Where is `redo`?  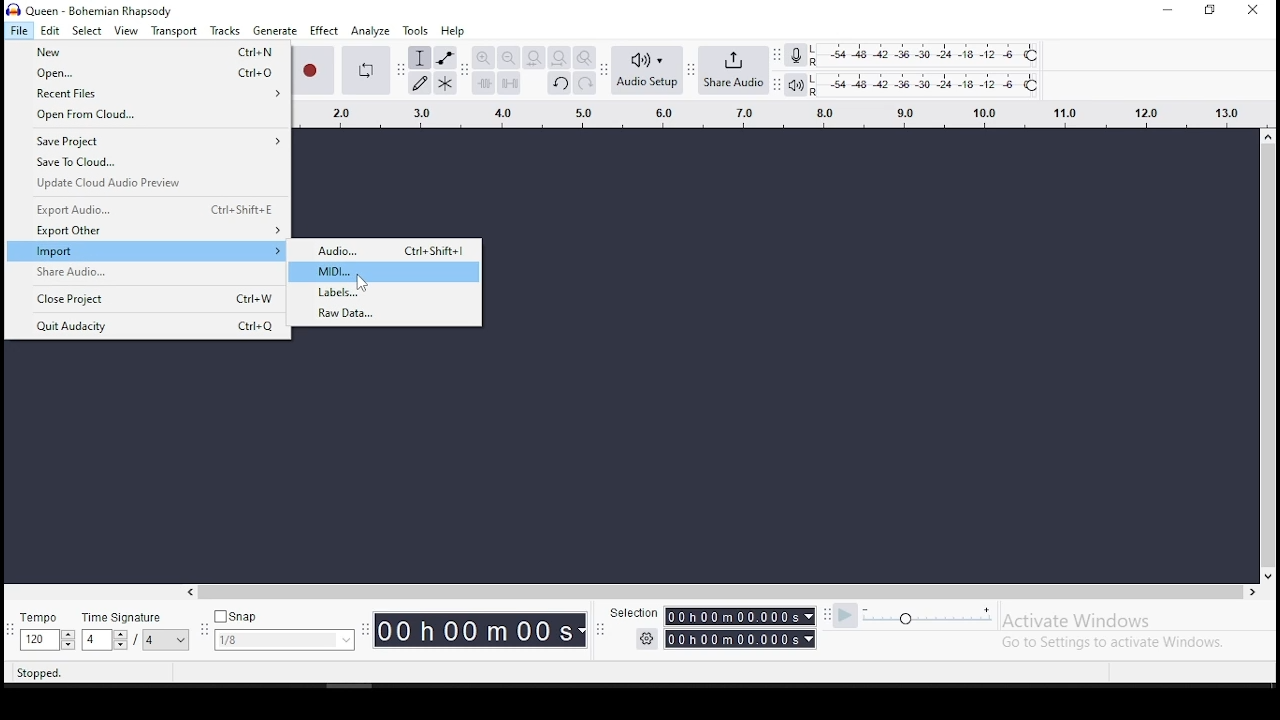
redo is located at coordinates (585, 84).